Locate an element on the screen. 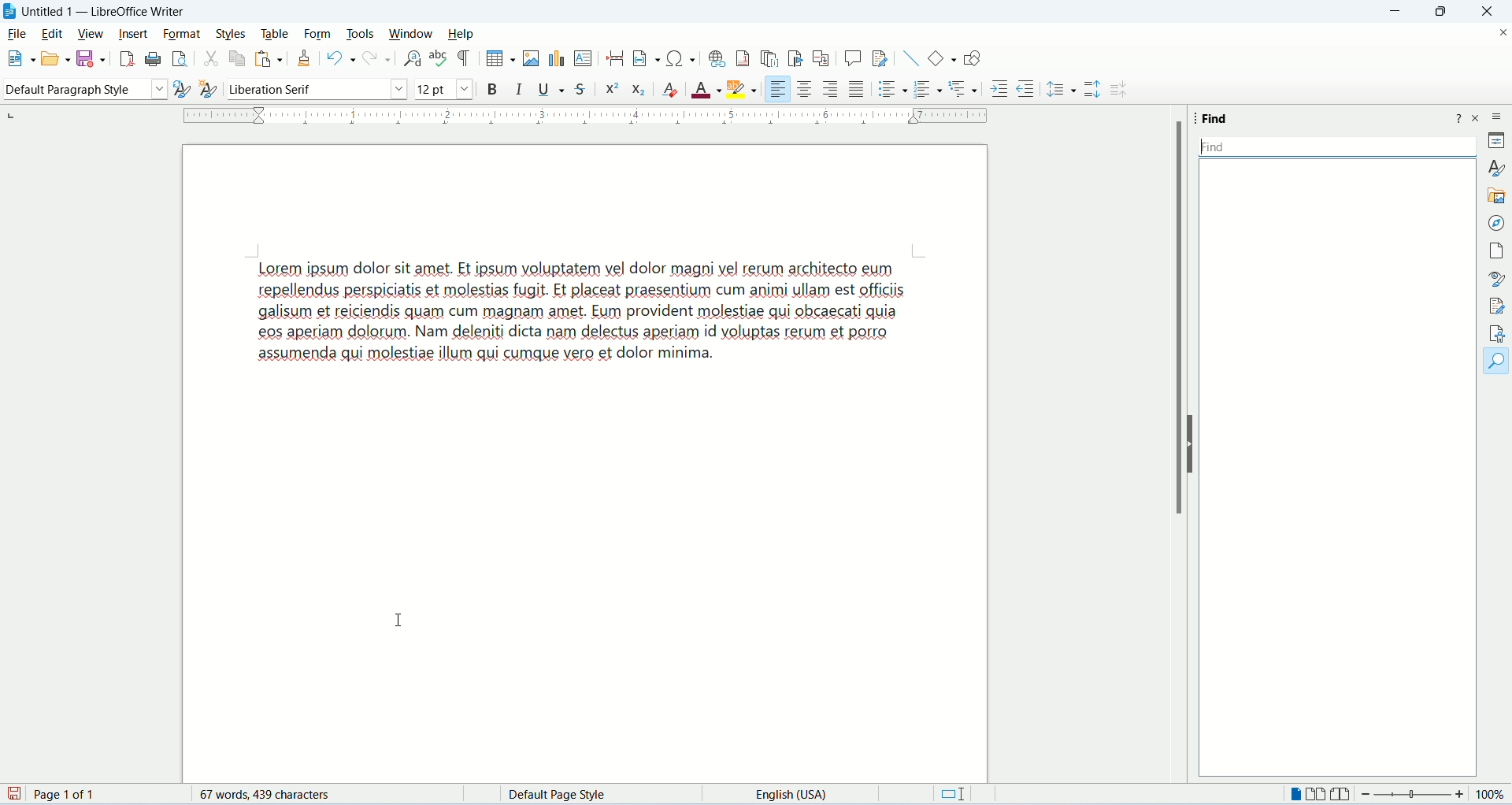 This screenshot has height=805, width=1512. italics is located at coordinates (517, 90).